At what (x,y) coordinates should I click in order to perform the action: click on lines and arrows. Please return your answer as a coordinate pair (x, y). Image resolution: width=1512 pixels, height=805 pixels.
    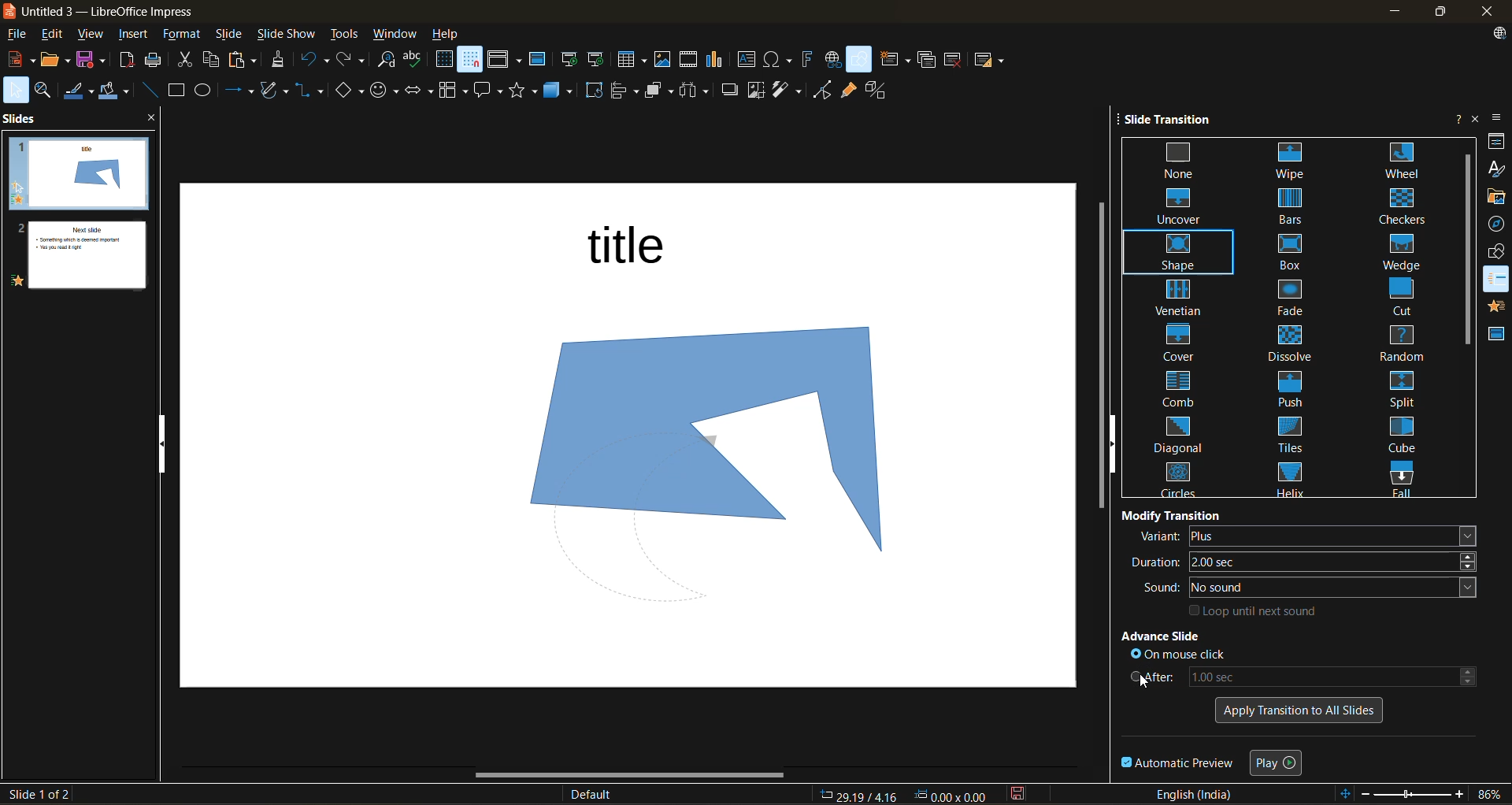
    Looking at the image, I should click on (239, 92).